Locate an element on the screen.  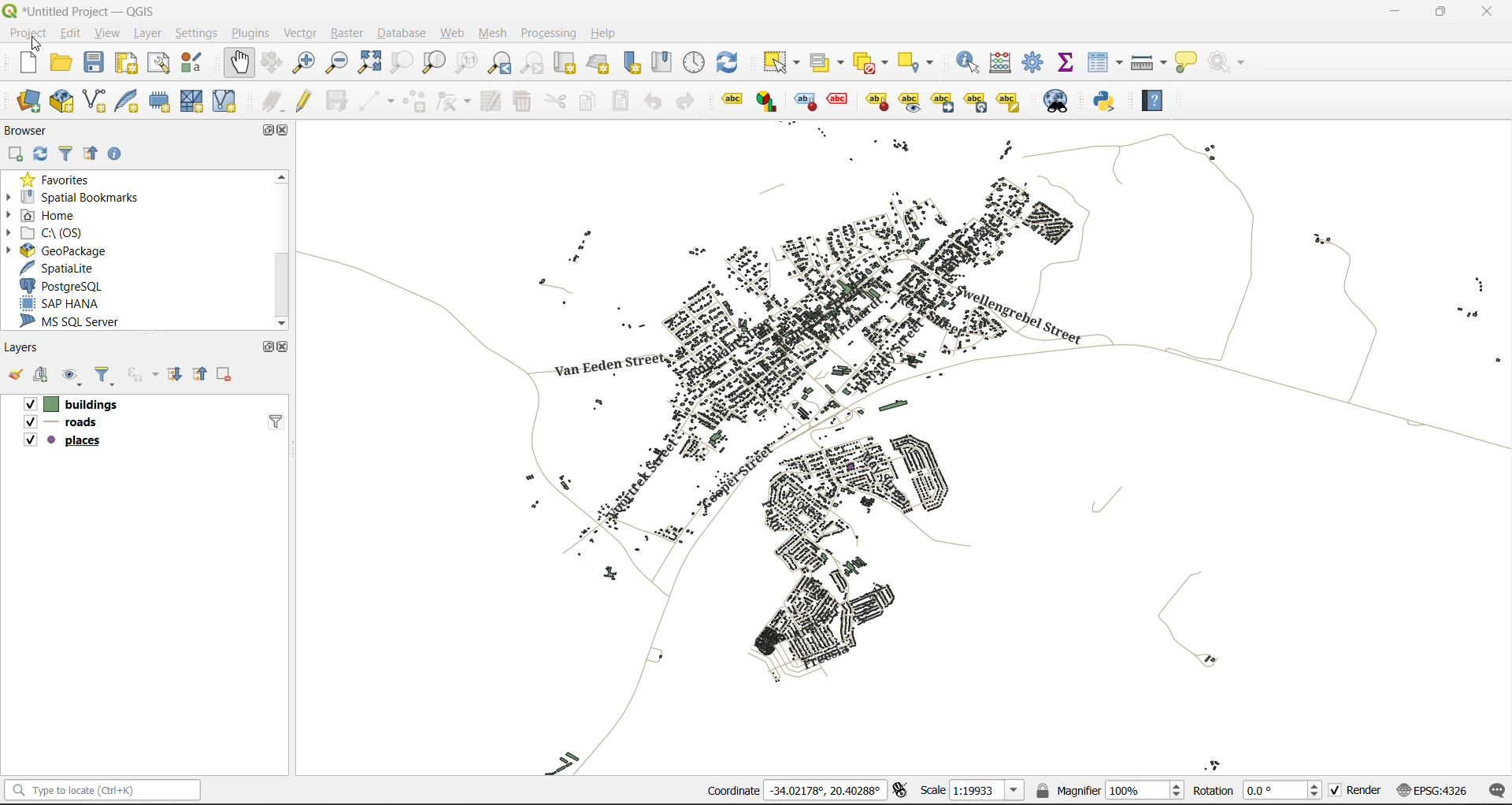
open data source manager is located at coordinates (31, 102).